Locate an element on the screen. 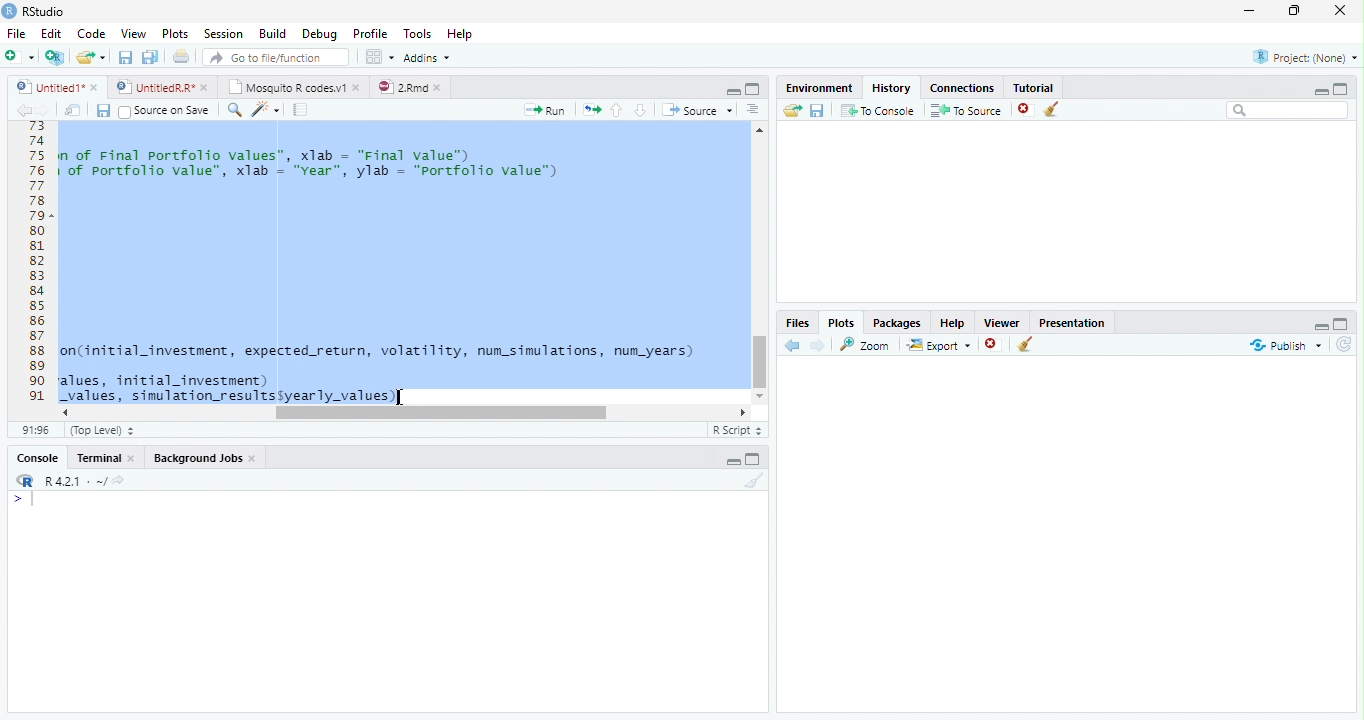  Plots is located at coordinates (174, 34).